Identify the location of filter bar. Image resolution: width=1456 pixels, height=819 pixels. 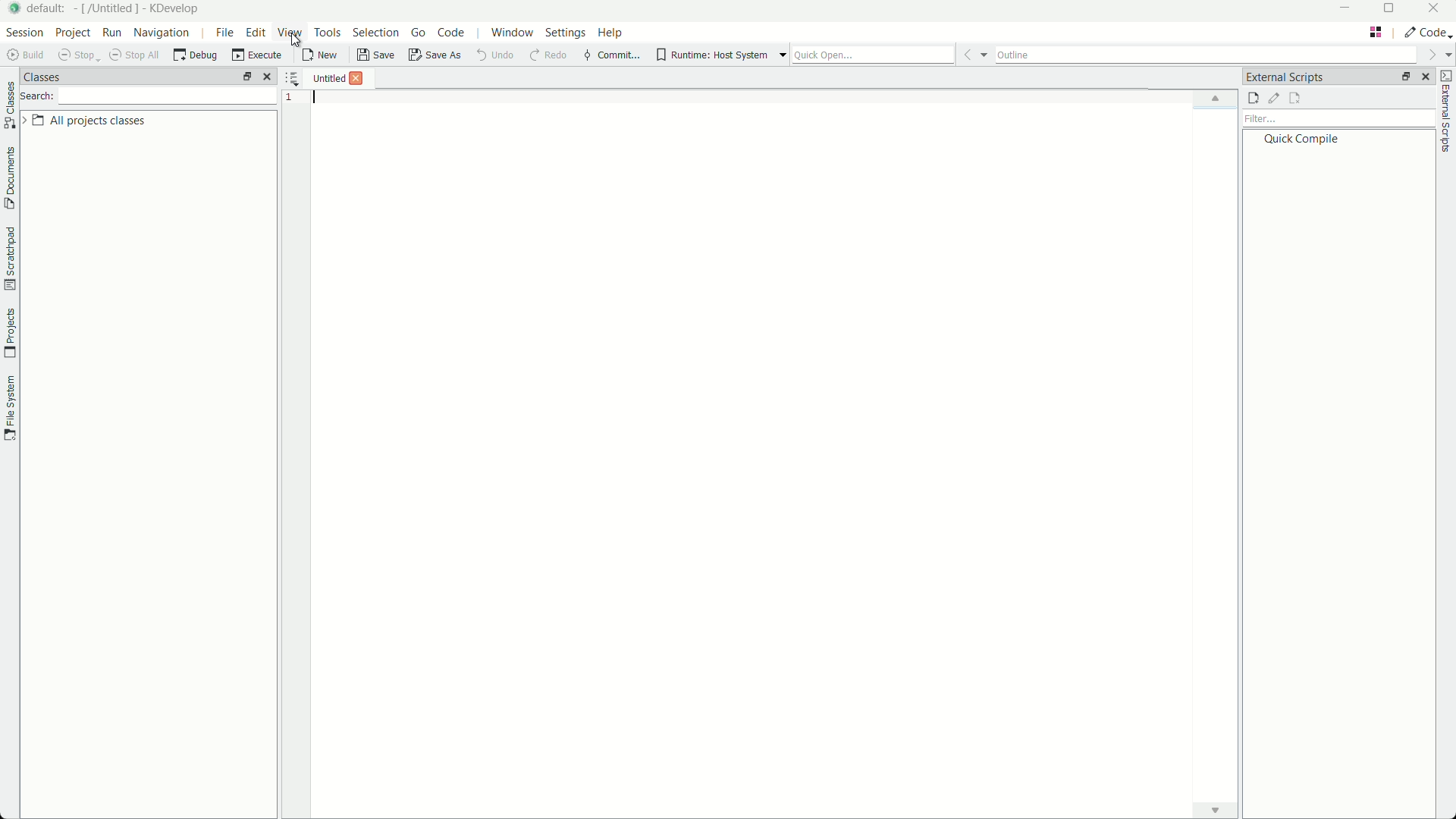
(1340, 119).